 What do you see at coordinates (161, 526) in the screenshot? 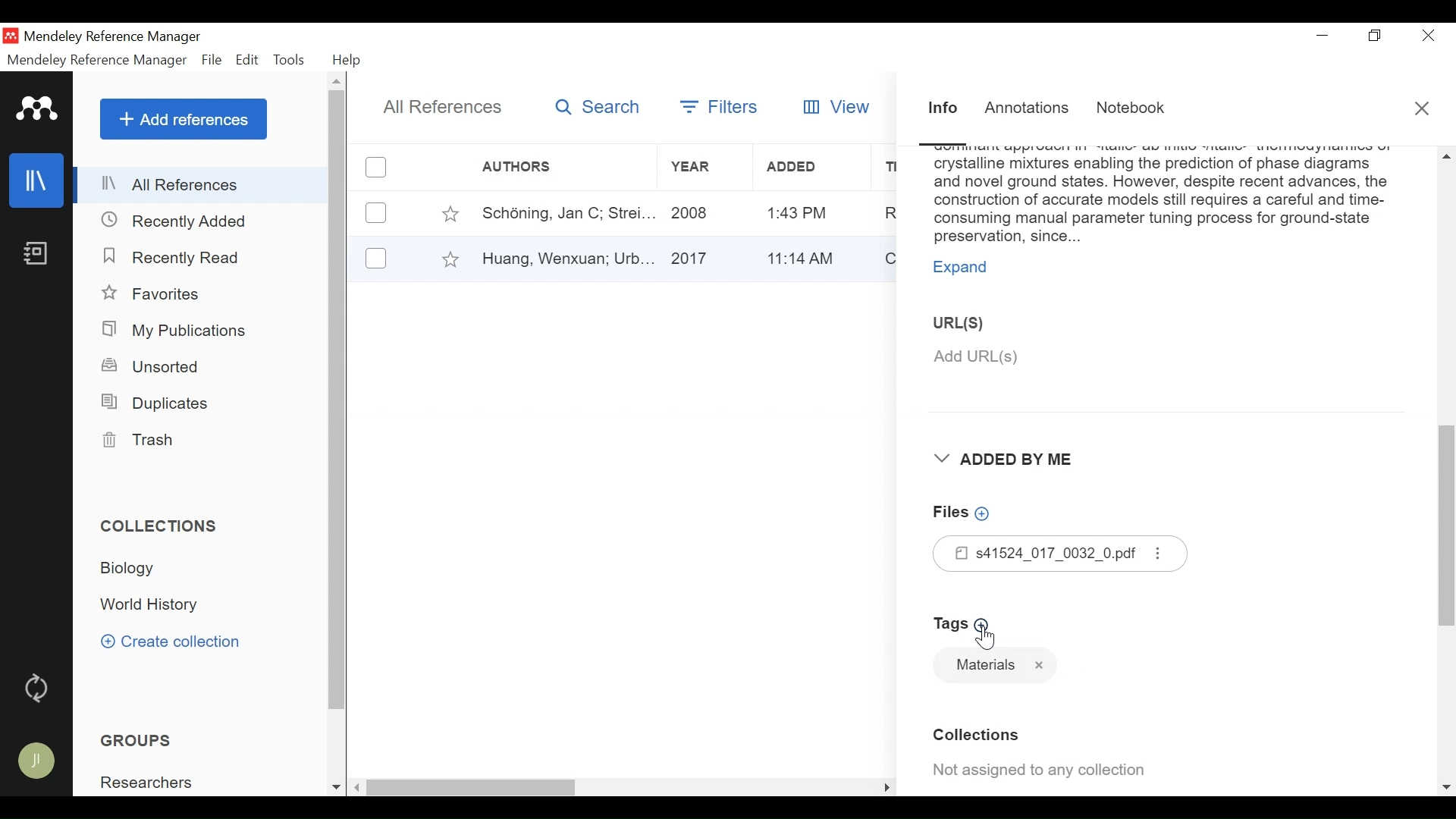
I see `Collections` at bounding box center [161, 526].